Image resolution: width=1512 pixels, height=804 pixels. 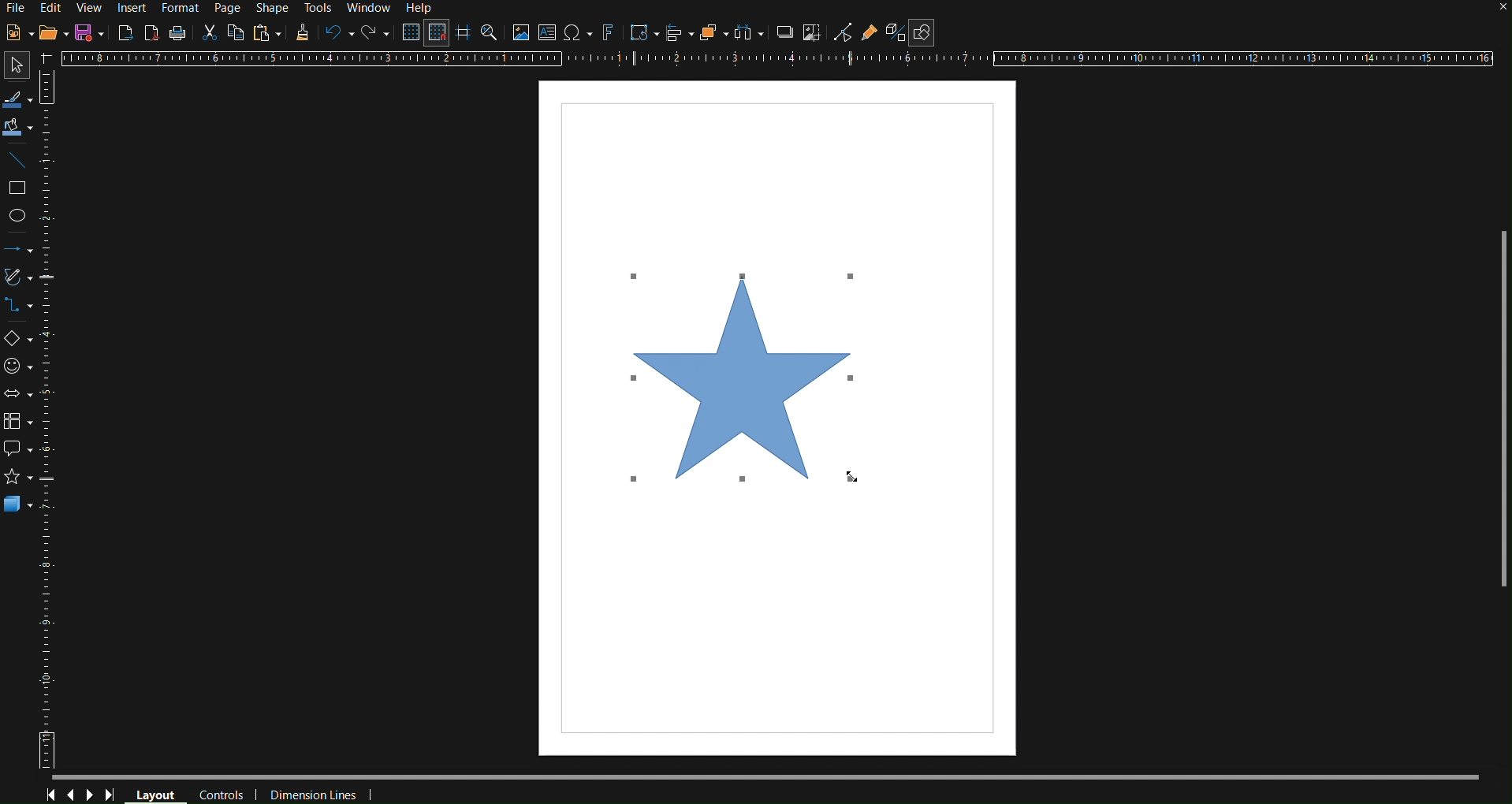 I want to click on Tools, so click(x=317, y=8).